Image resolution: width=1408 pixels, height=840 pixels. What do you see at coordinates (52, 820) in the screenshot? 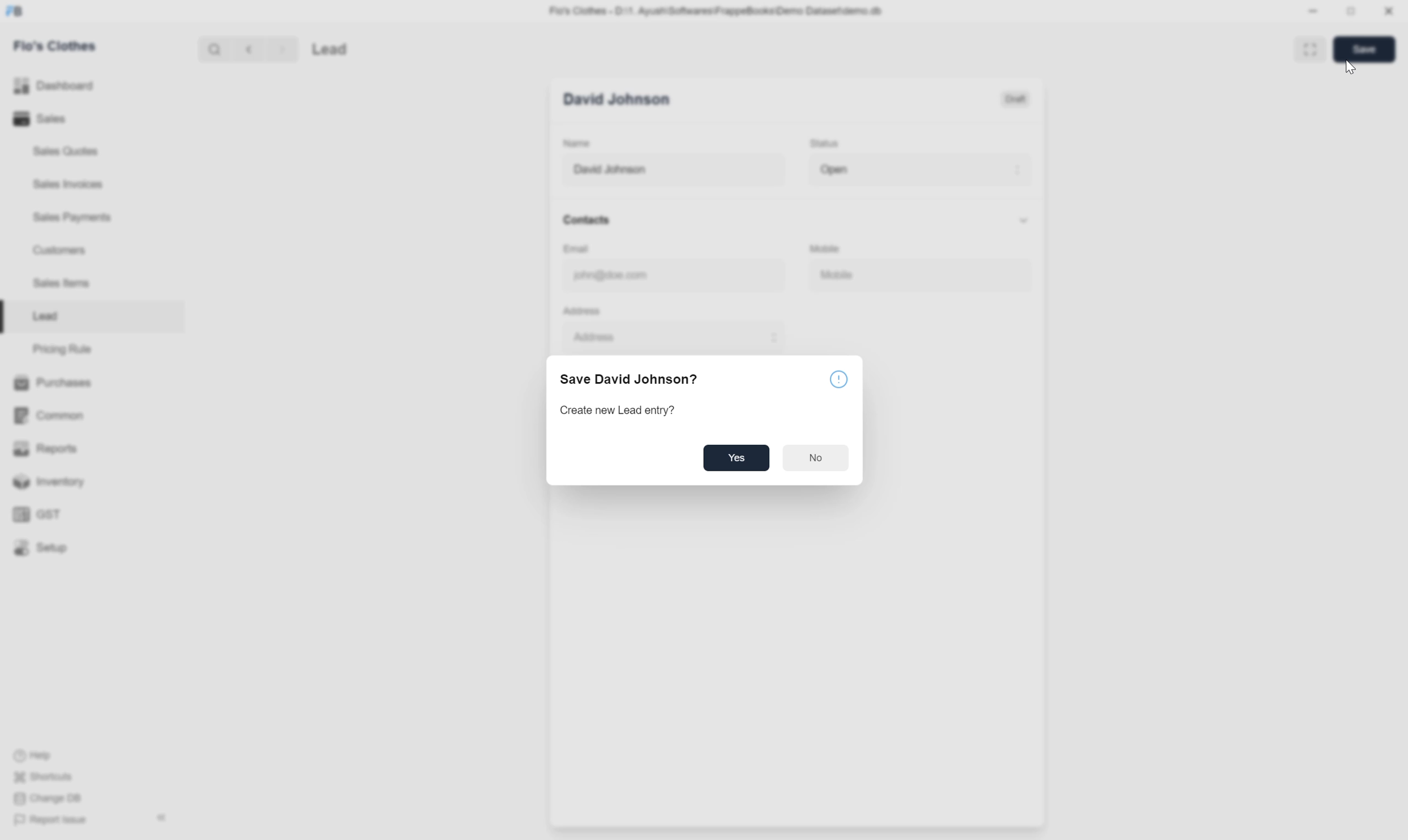
I see ` Report Issue` at bounding box center [52, 820].